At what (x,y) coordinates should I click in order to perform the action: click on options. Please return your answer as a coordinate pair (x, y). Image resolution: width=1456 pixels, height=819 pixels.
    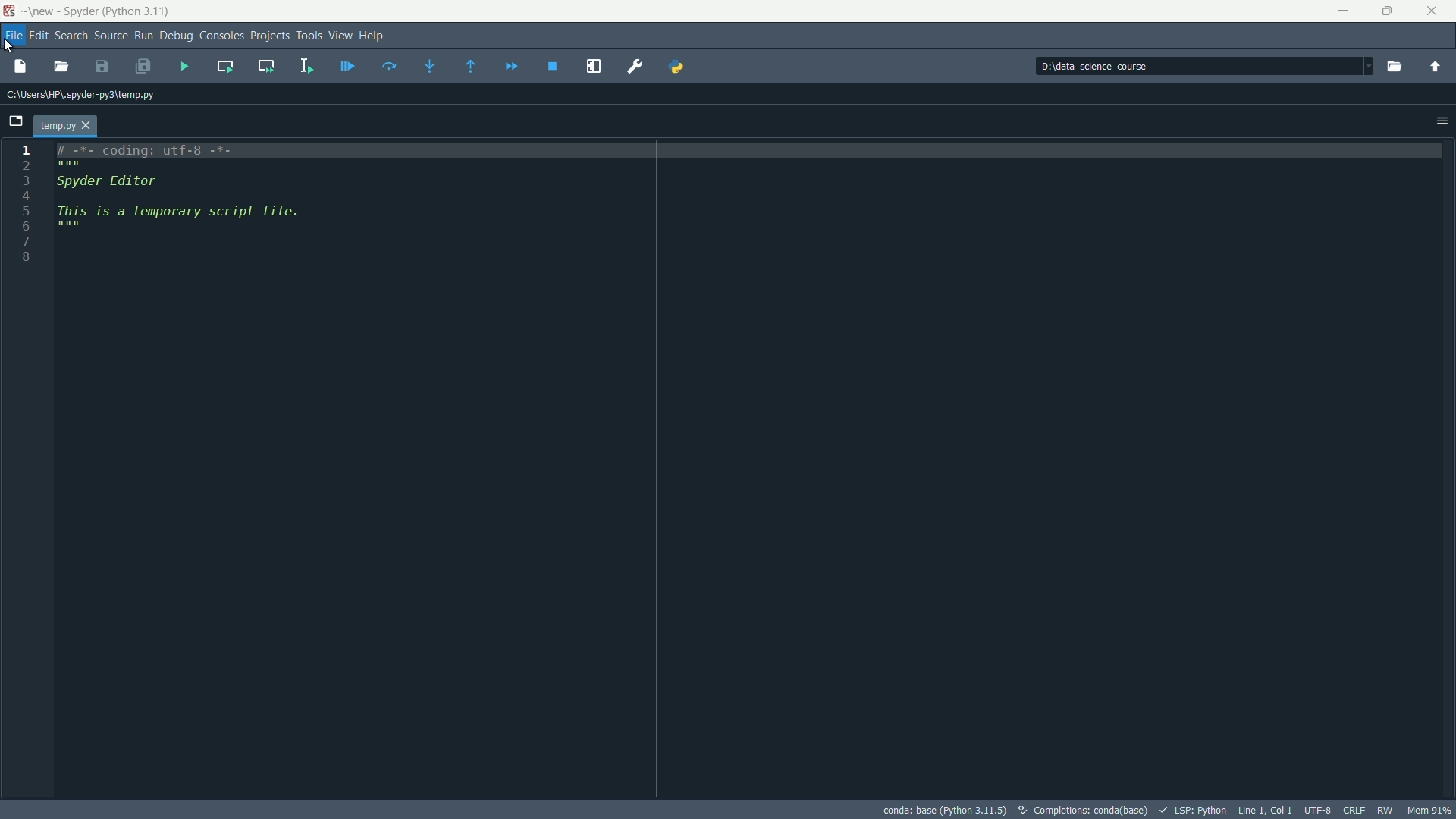
    Looking at the image, I should click on (1442, 121).